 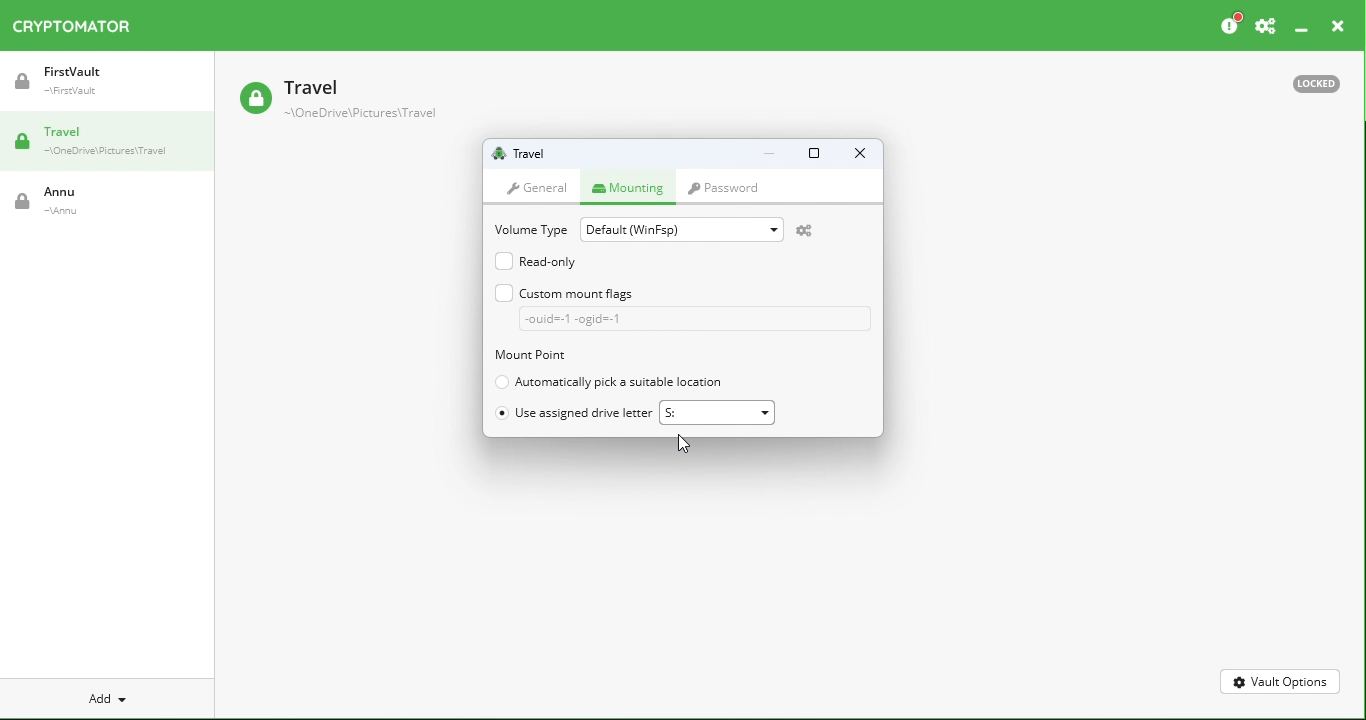 I want to click on Add new vault, so click(x=105, y=696).